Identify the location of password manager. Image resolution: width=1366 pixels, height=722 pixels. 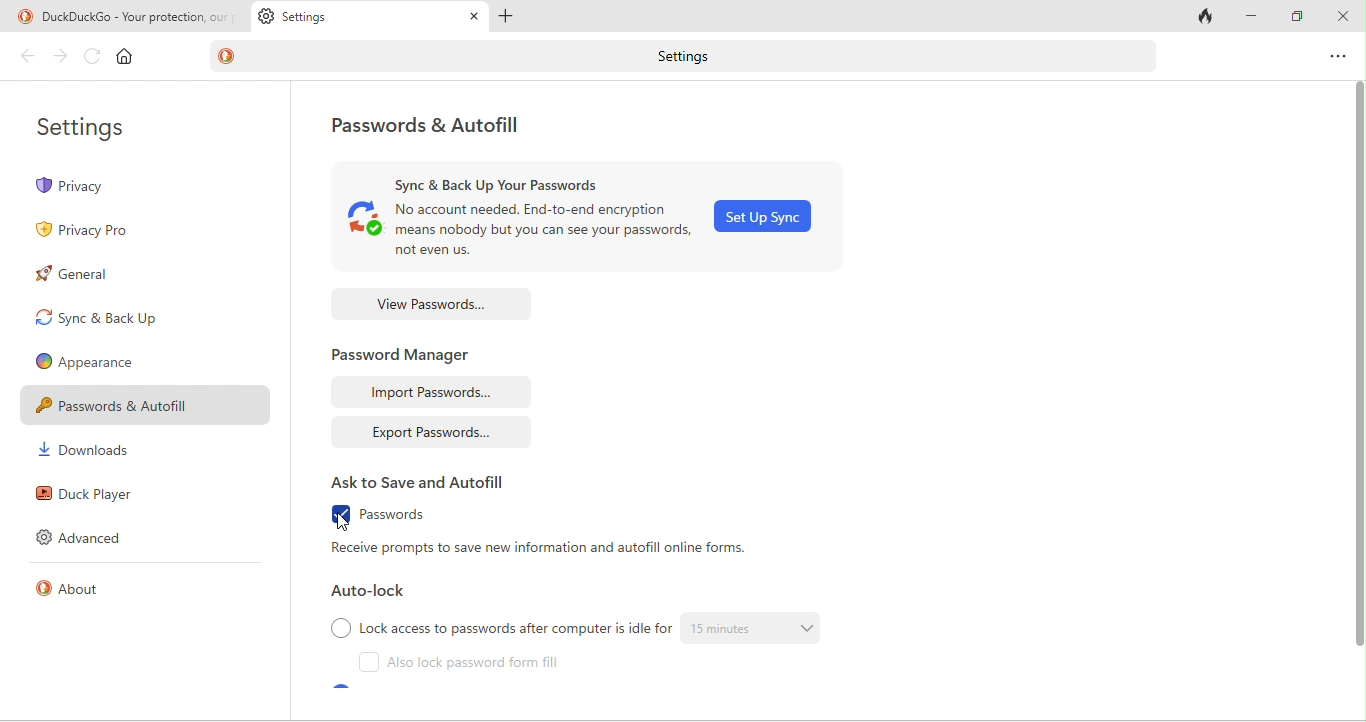
(410, 353).